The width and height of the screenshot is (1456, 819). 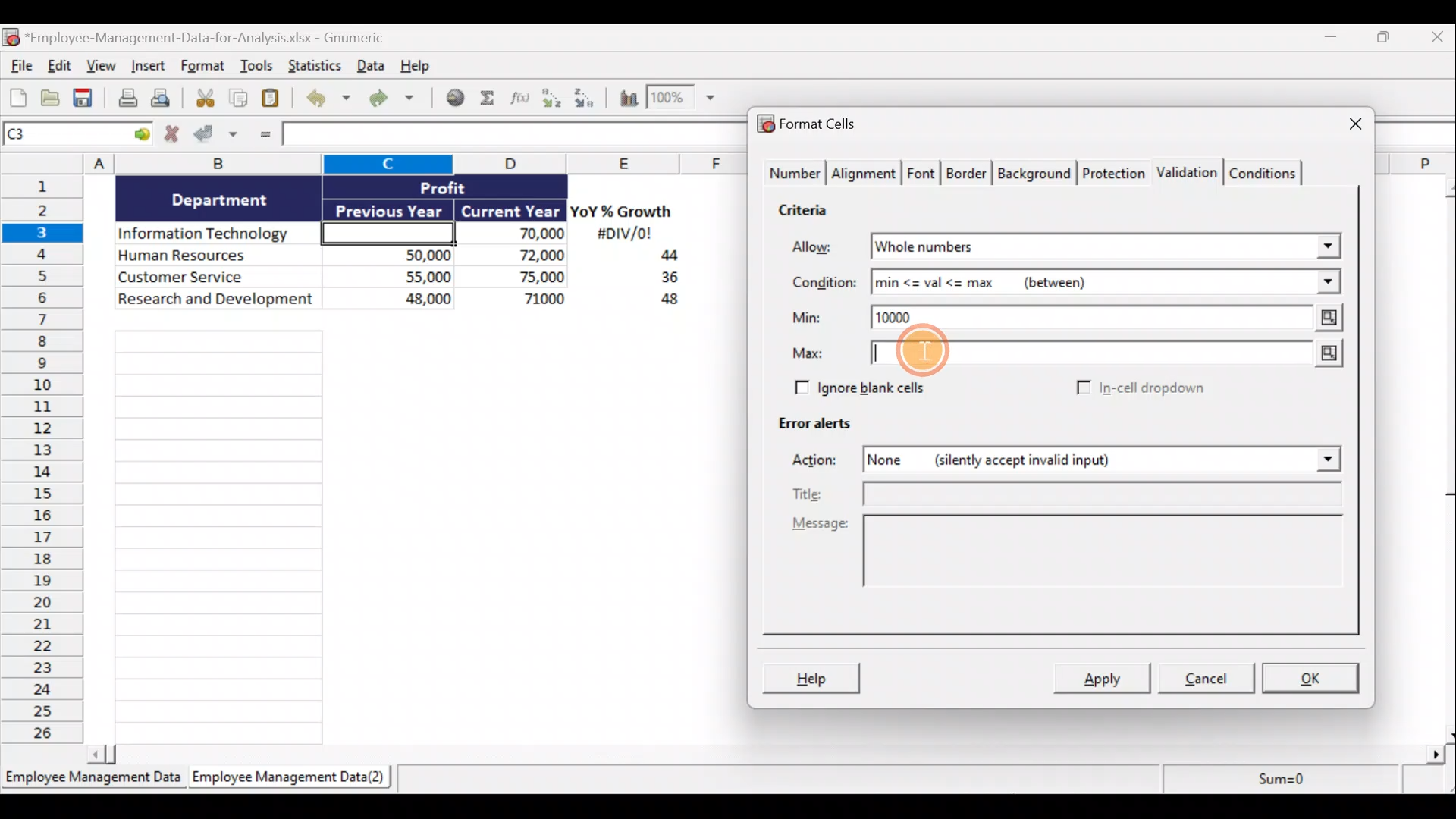 What do you see at coordinates (169, 102) in the screenshot?
I see `Print preview` at bounding box center [169, 102].